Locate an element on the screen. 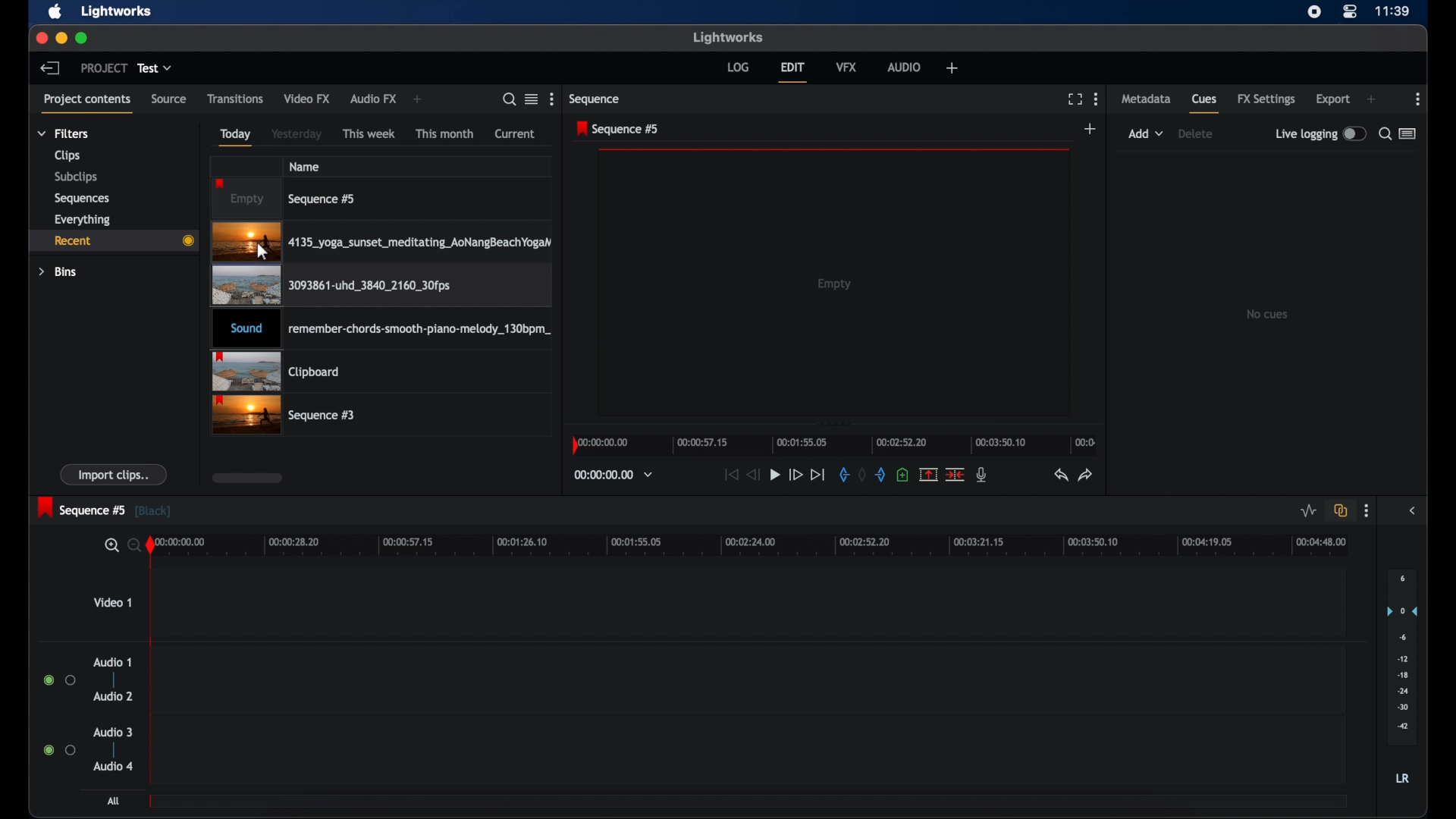 The image size is (1456, 819). add is located at coordinates (417, 99).